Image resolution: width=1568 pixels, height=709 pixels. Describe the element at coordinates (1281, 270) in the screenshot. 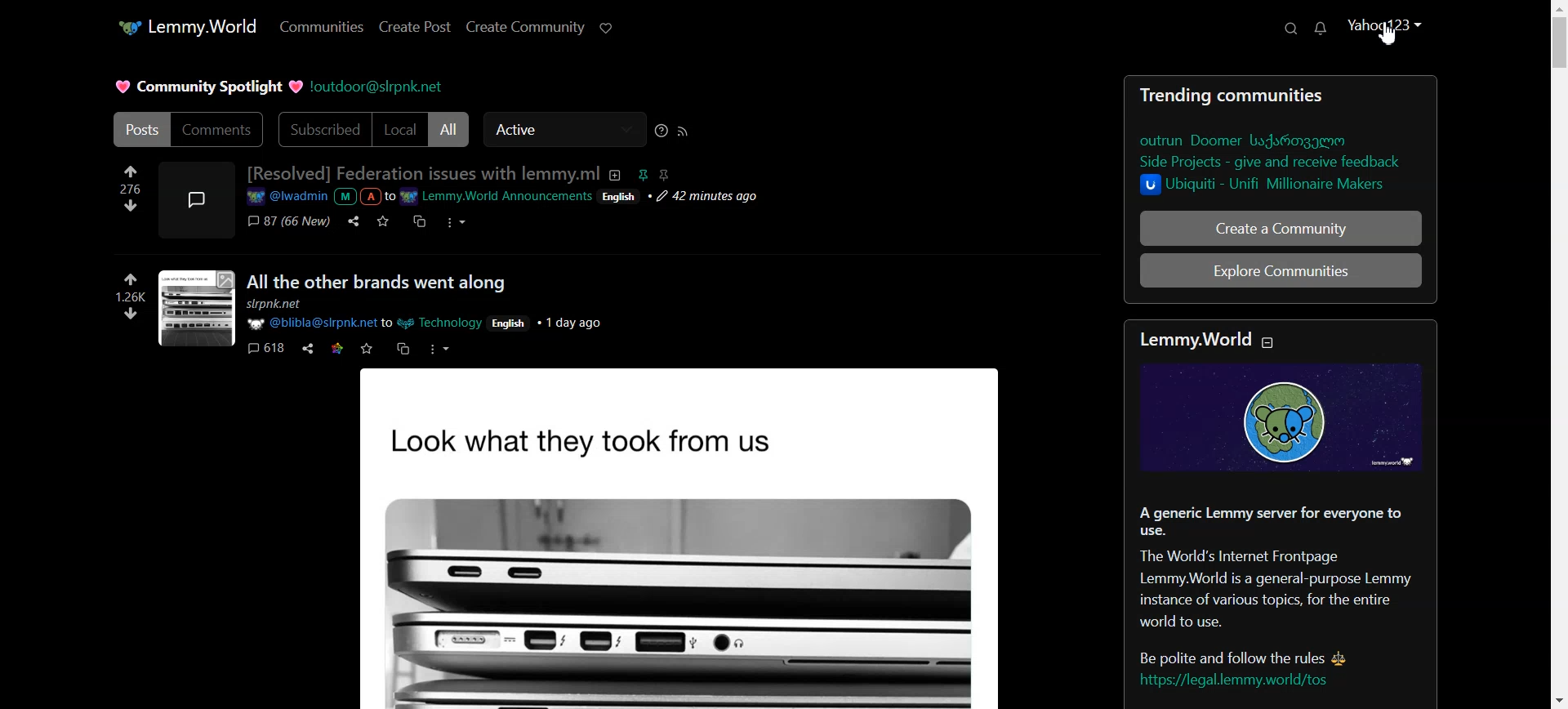

I see `Explore Communities` at that location.